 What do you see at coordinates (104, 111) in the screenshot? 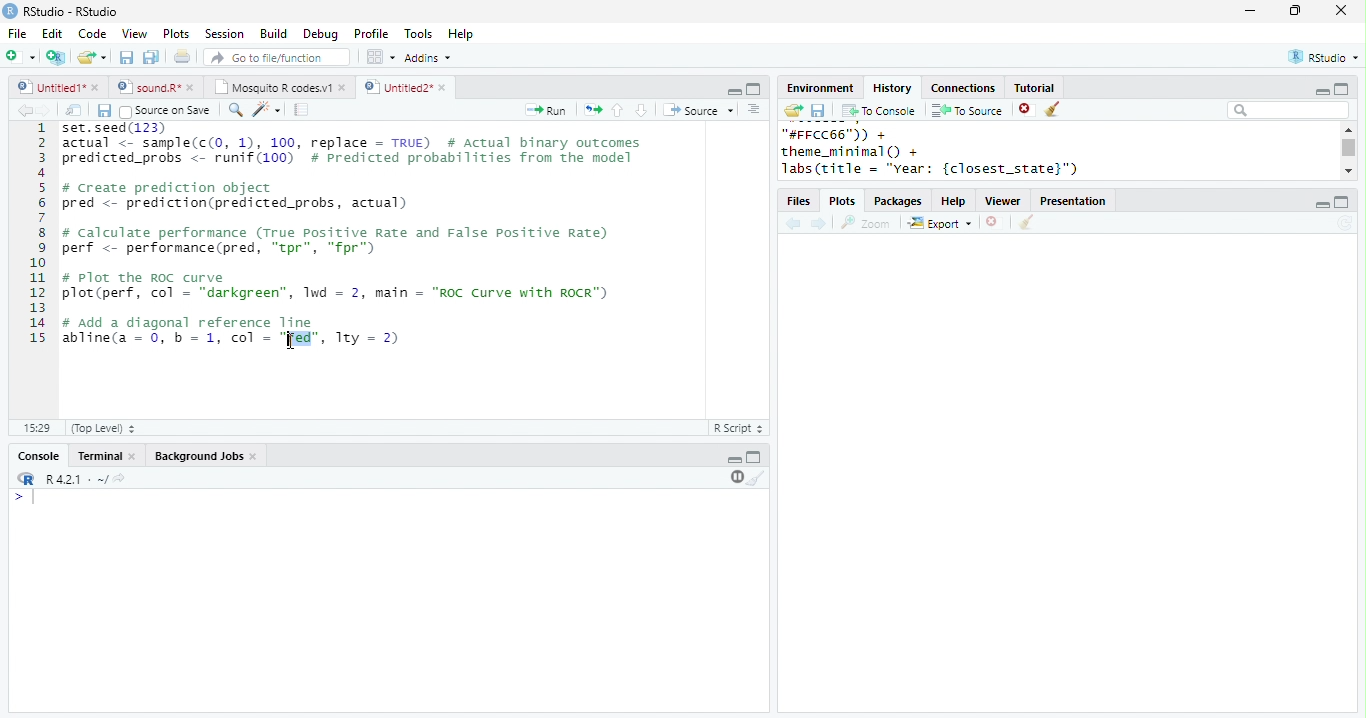
I see `save` at bounding box center [104, 111].